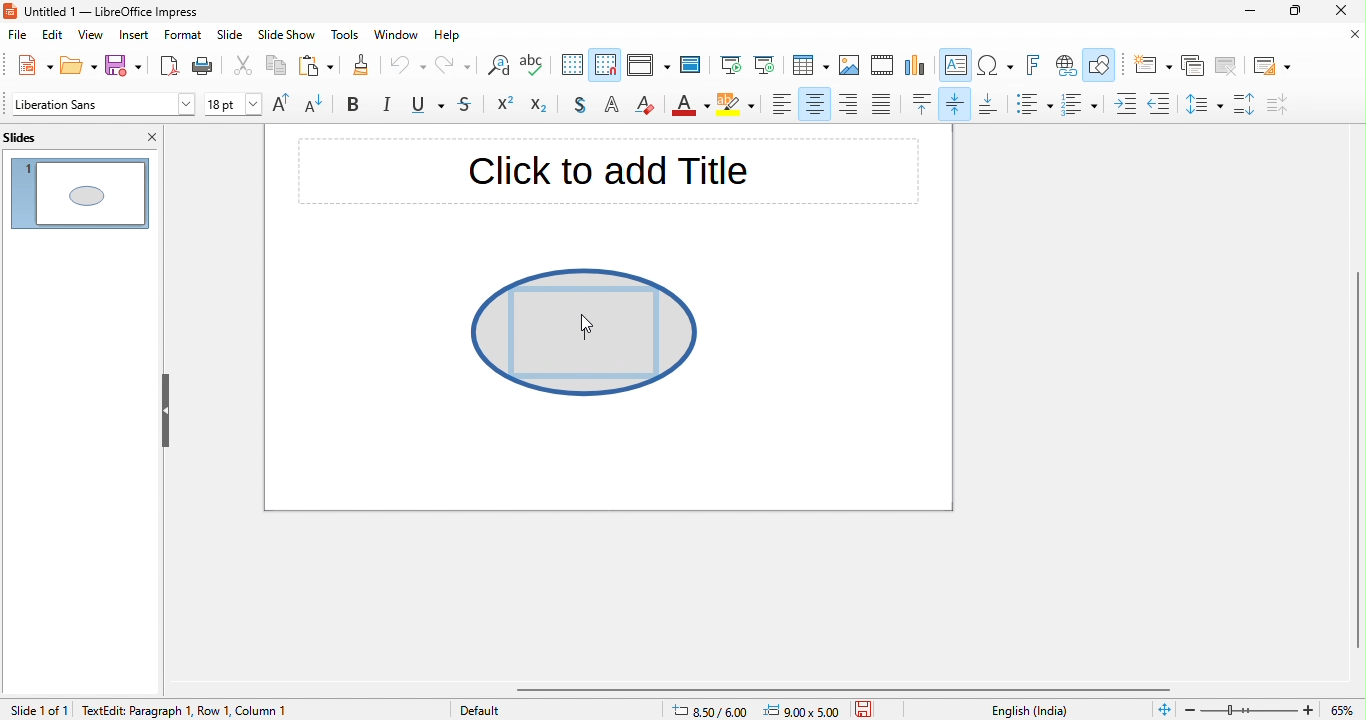  What do you see at coordinates (321, 106) in the screenshot?
I see `decrease font size` at bounding box center [321, 106].